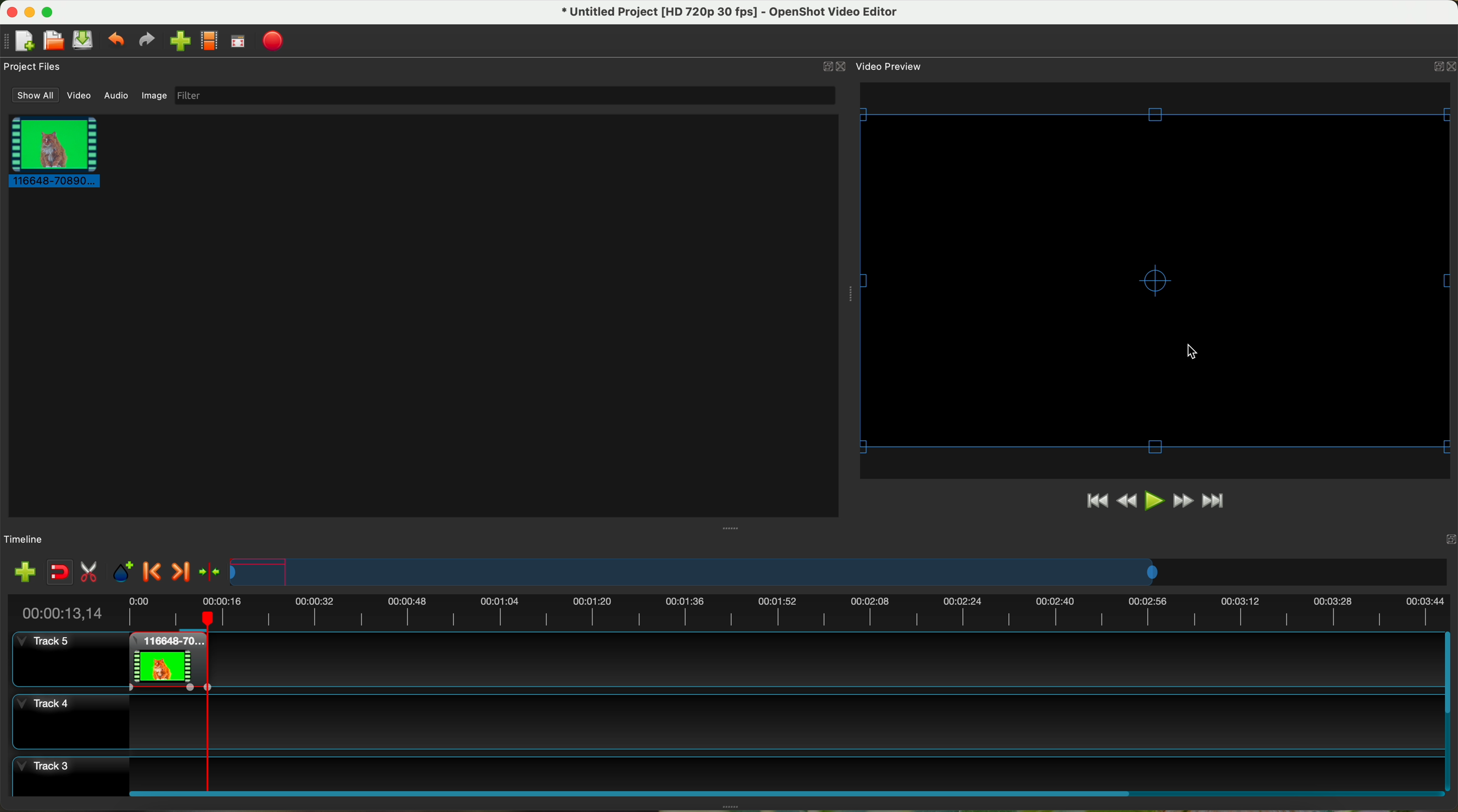 This screenshot has height=812, width=1458. Describe the element at coordinates (31, 12) in the screenshot. I see `minimize program` at that location.